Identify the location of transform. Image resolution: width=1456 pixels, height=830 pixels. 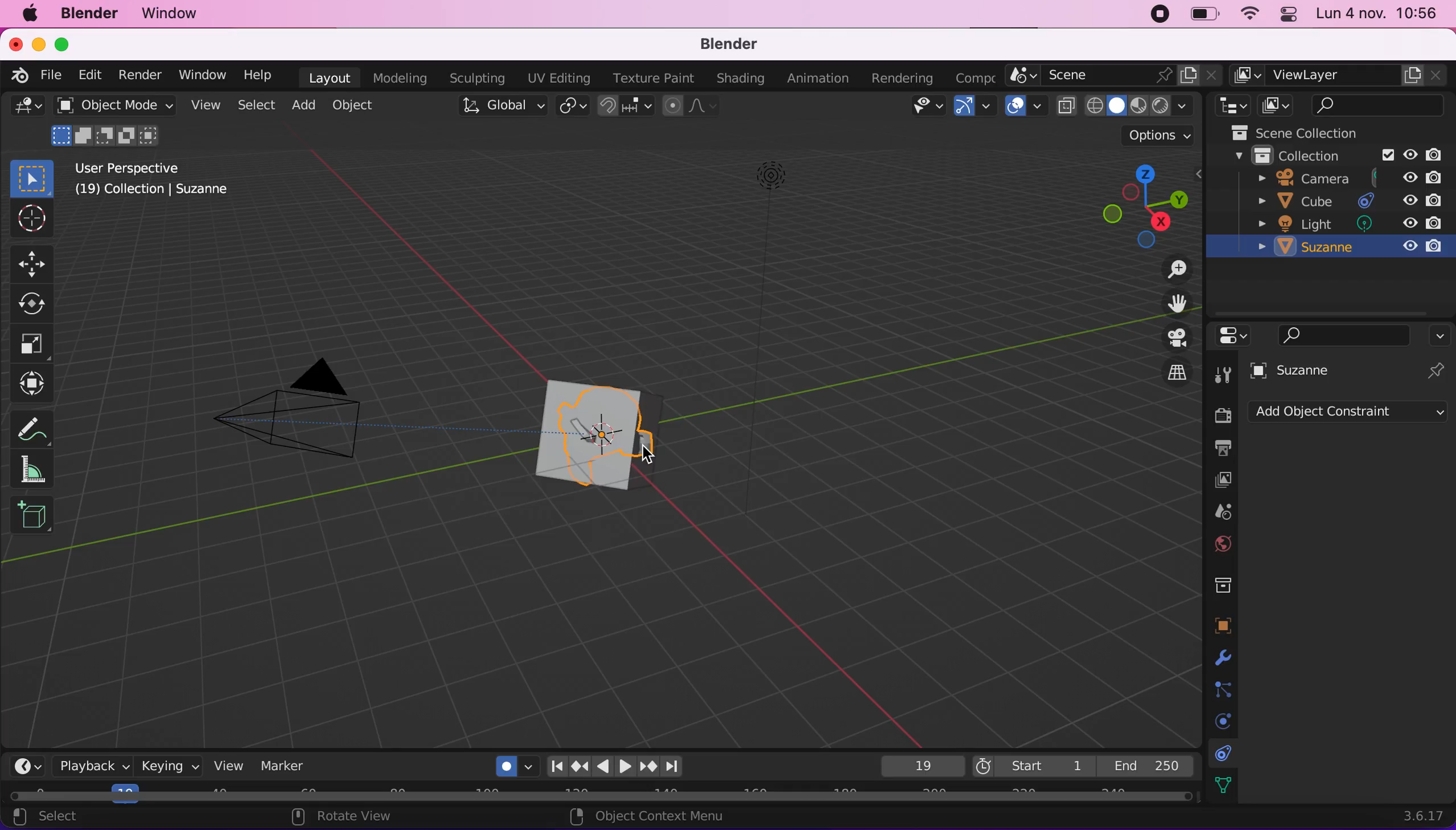
(35, 386).